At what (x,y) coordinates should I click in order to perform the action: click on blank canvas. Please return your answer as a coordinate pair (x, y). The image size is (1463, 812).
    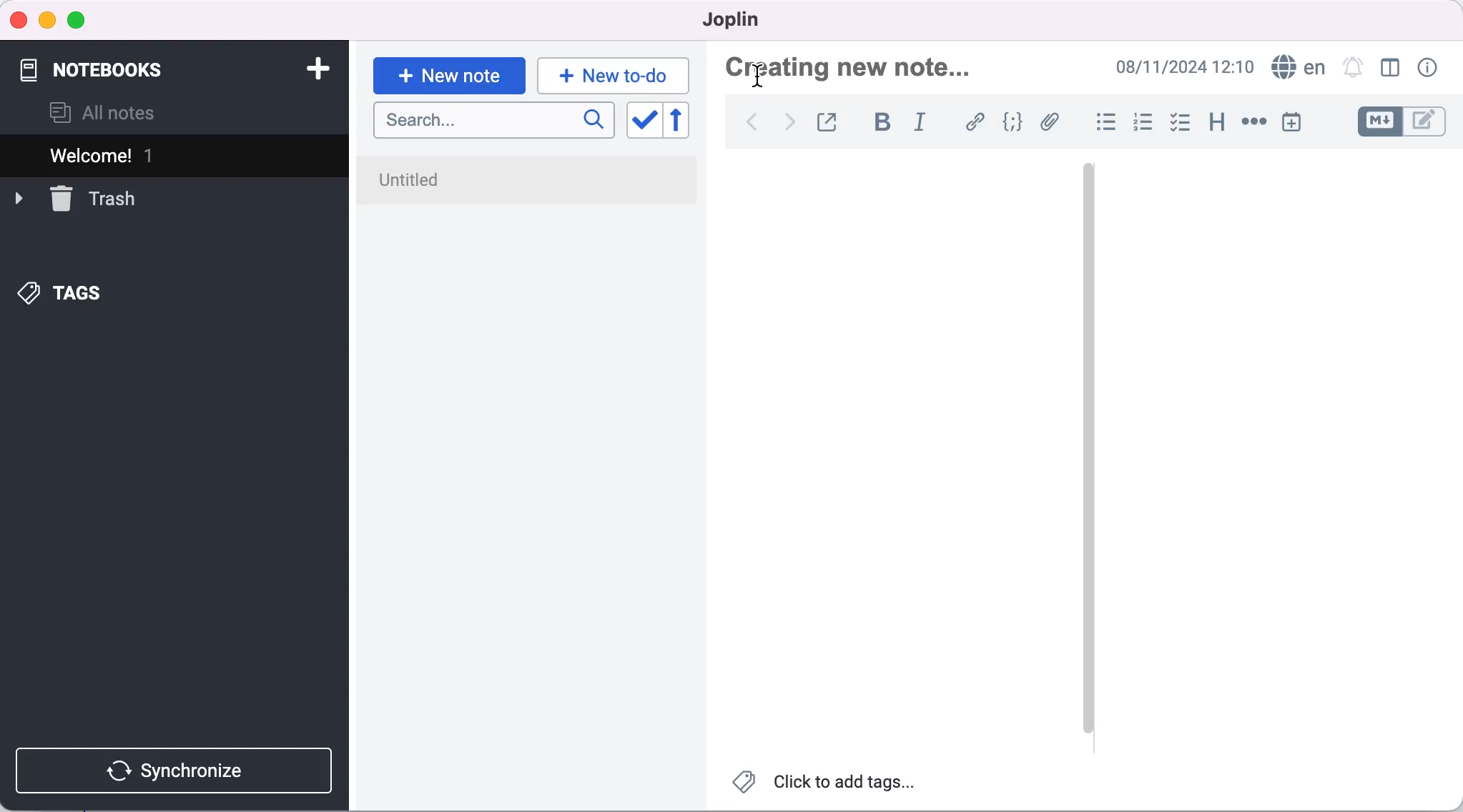
    Looking at the image, I should click on (1254, 458).